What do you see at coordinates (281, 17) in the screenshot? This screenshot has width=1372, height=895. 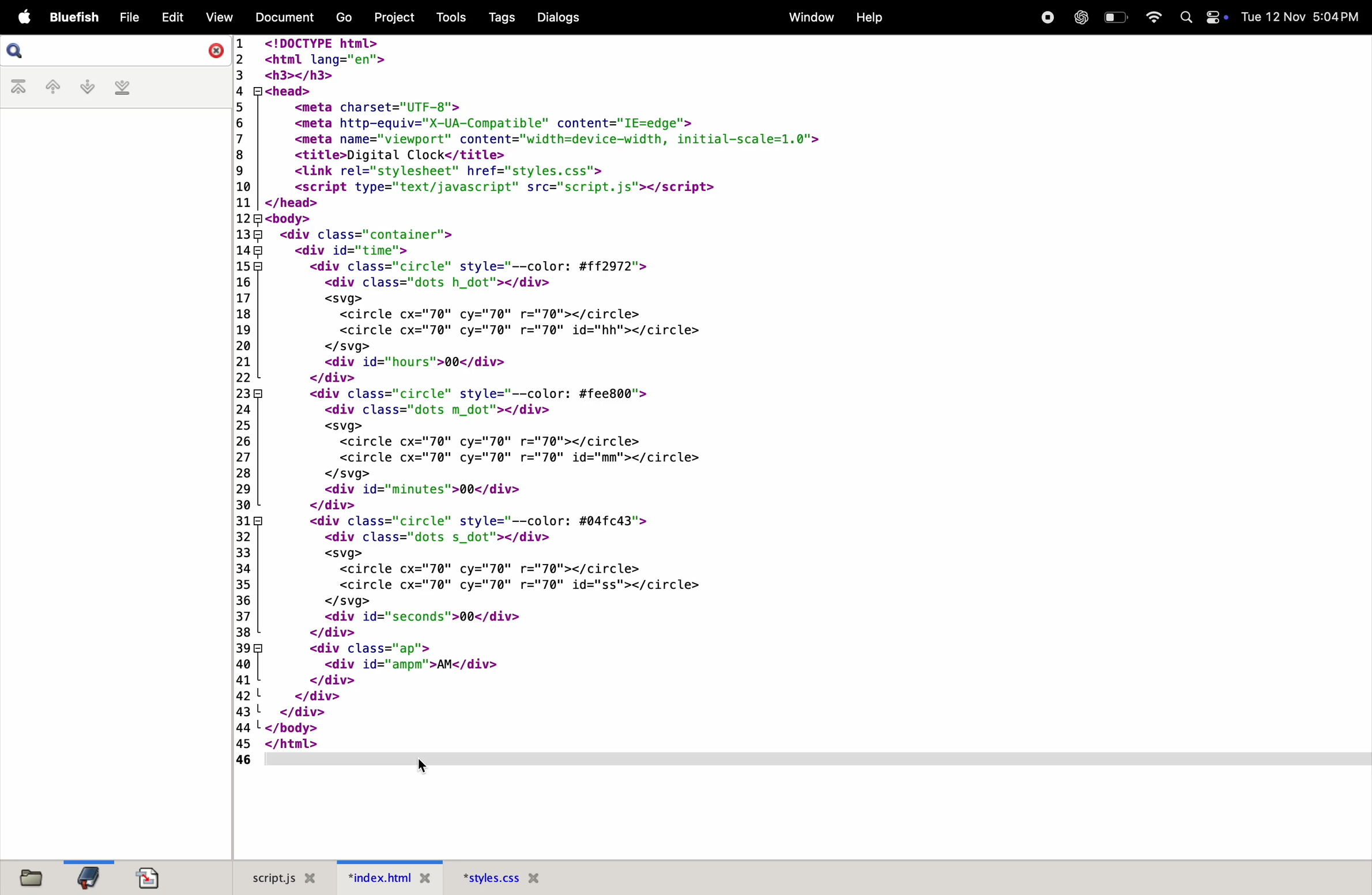 I see `document` at bounding box center [281, 17].